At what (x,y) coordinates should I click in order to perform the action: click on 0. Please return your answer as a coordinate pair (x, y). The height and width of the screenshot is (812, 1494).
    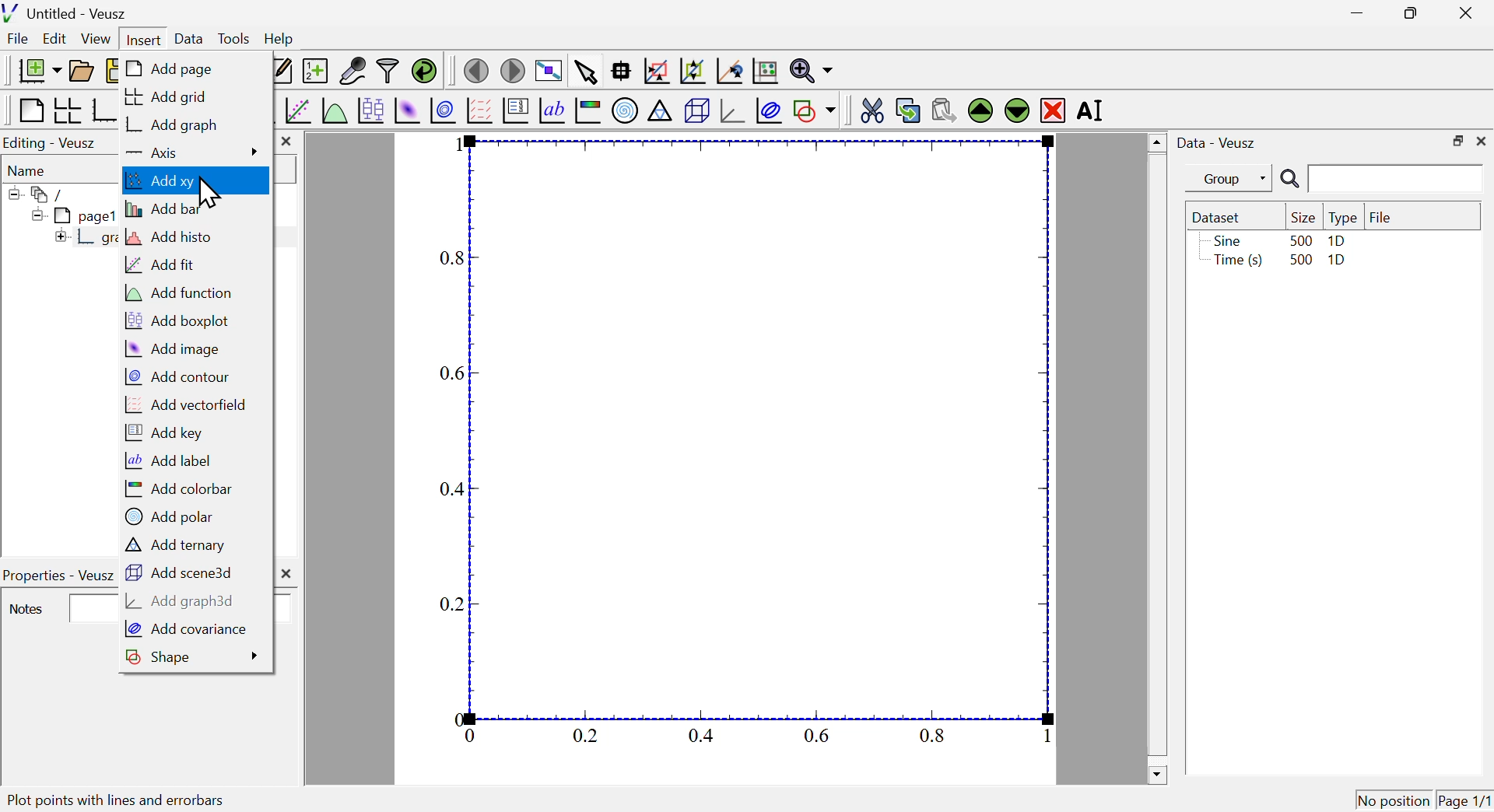
    Looking at the image, I should click on (472, 737).